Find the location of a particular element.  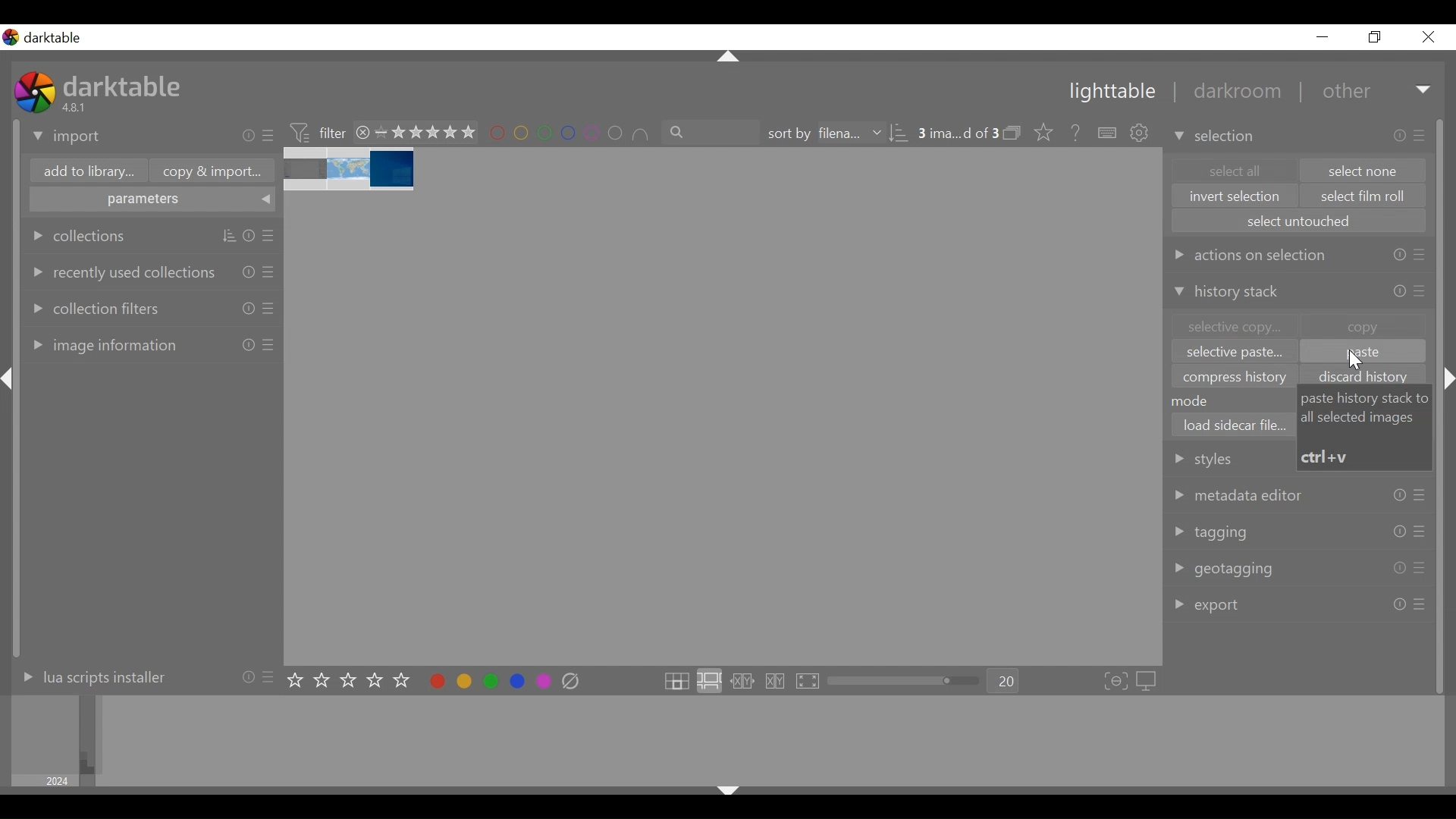

info is located at coordinates (249, 136).